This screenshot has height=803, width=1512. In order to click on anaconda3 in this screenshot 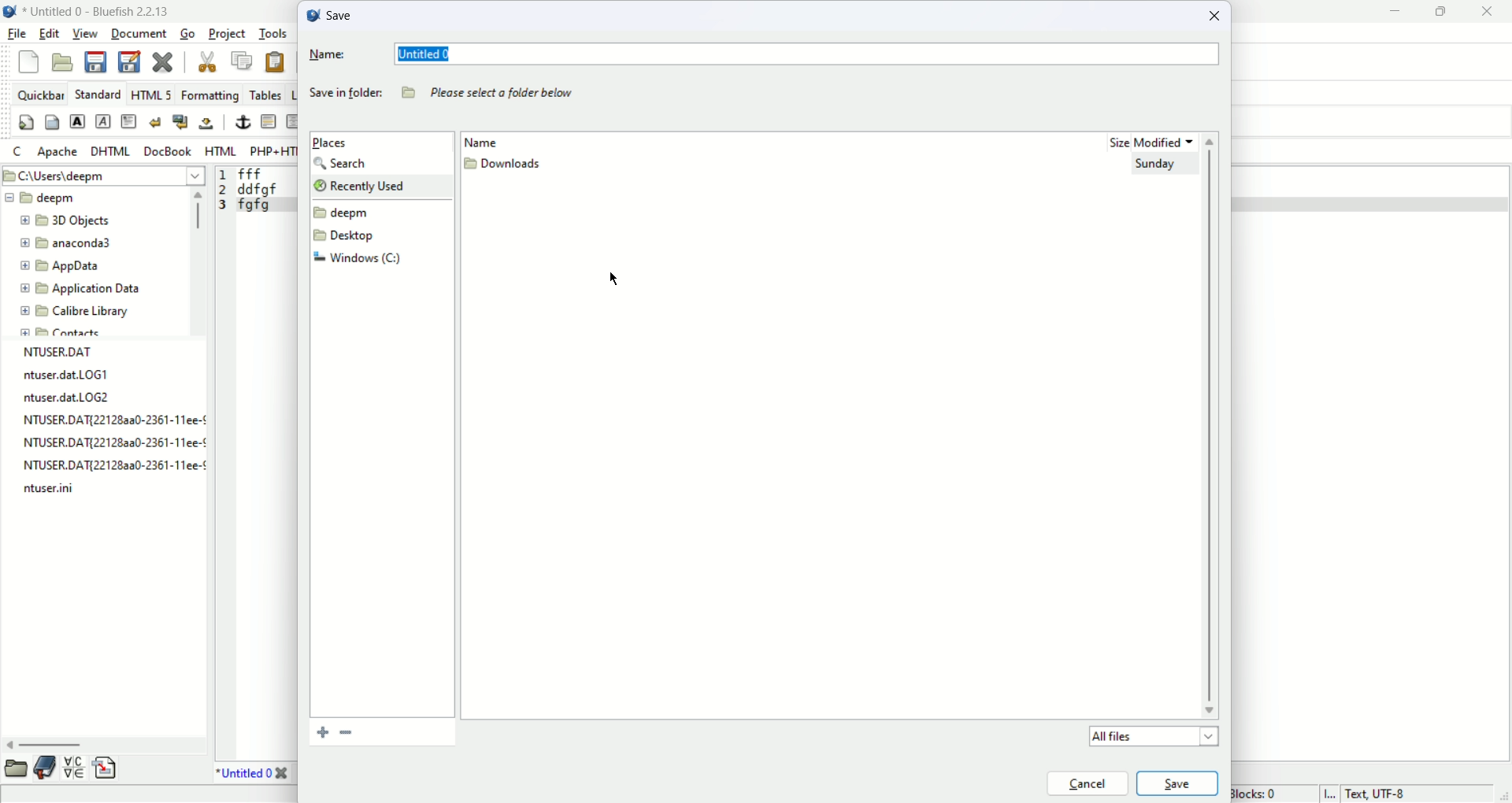, I will do `click(66, 244)`.